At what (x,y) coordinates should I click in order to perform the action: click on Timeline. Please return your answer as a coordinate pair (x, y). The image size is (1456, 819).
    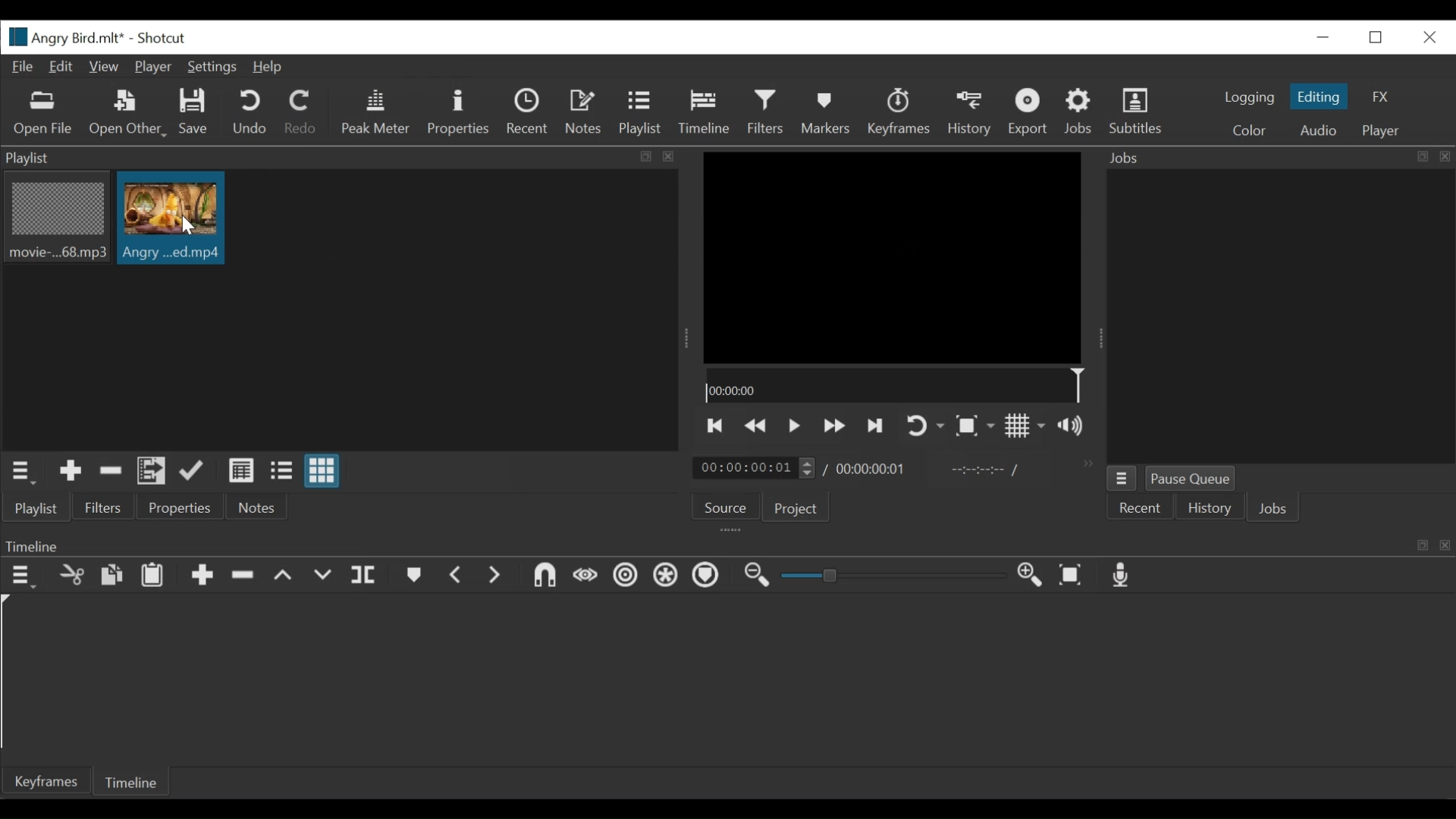
    Looking at the image, I should click on (704, 113).